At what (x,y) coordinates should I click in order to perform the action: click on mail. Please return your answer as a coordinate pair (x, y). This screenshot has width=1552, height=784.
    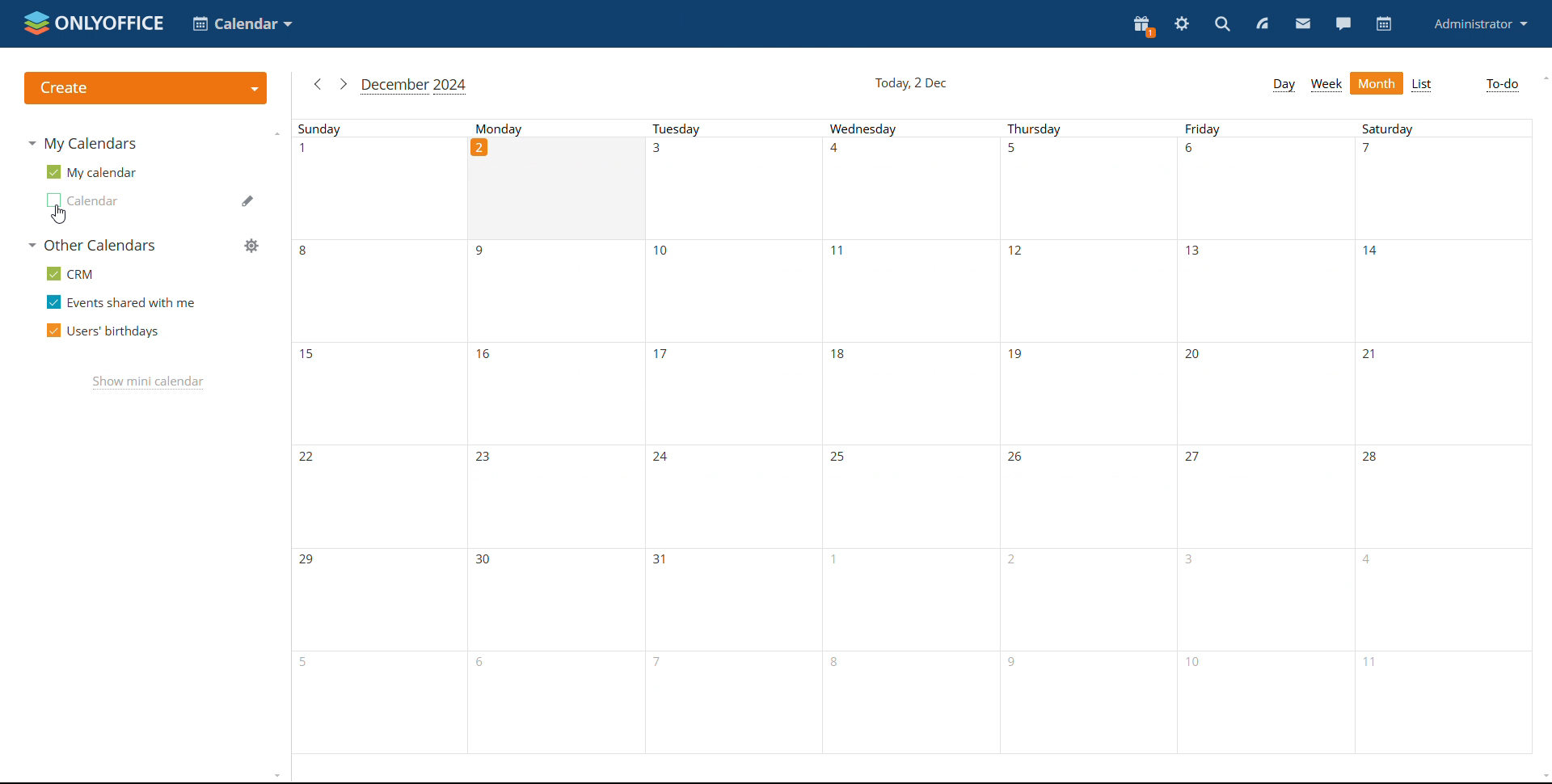
    Looking at the image, I should click on (1302, 24).